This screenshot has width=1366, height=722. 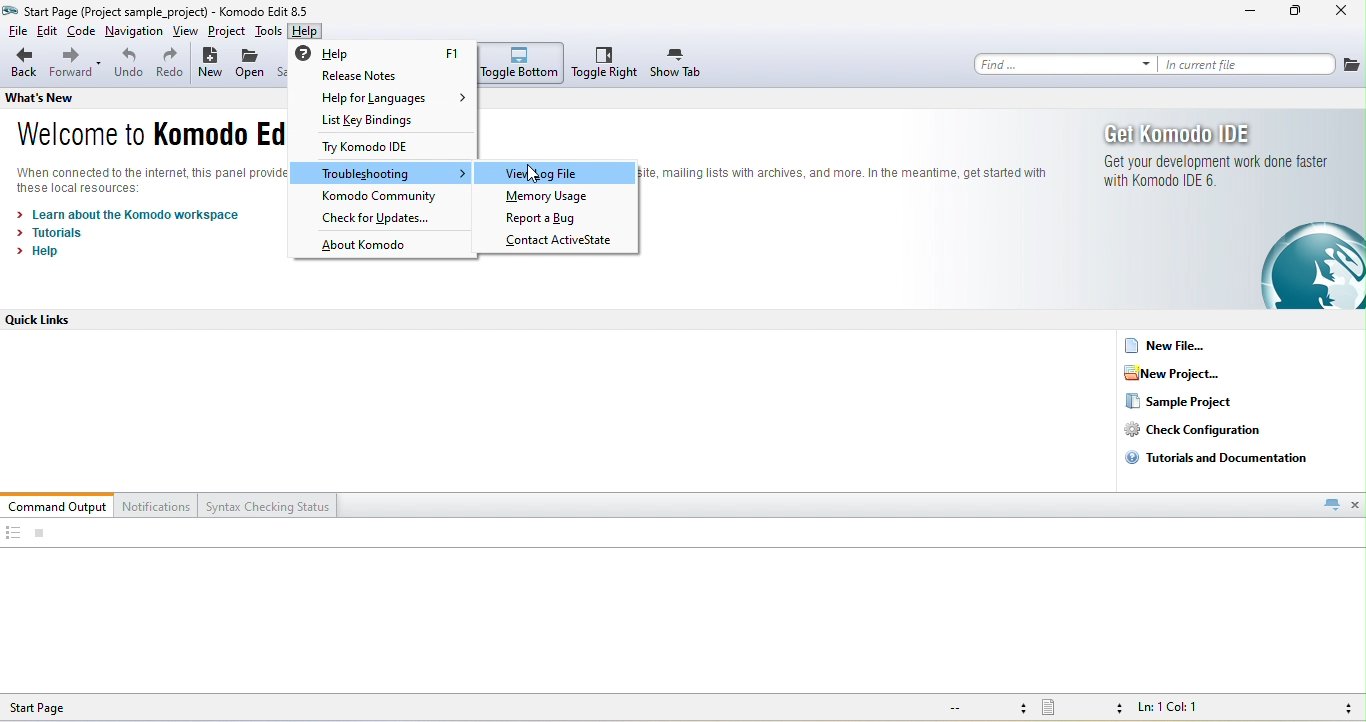 What do you see at coordinates (210, 65) in the screenshot?
I see `new` at bounding box center [210, 65].